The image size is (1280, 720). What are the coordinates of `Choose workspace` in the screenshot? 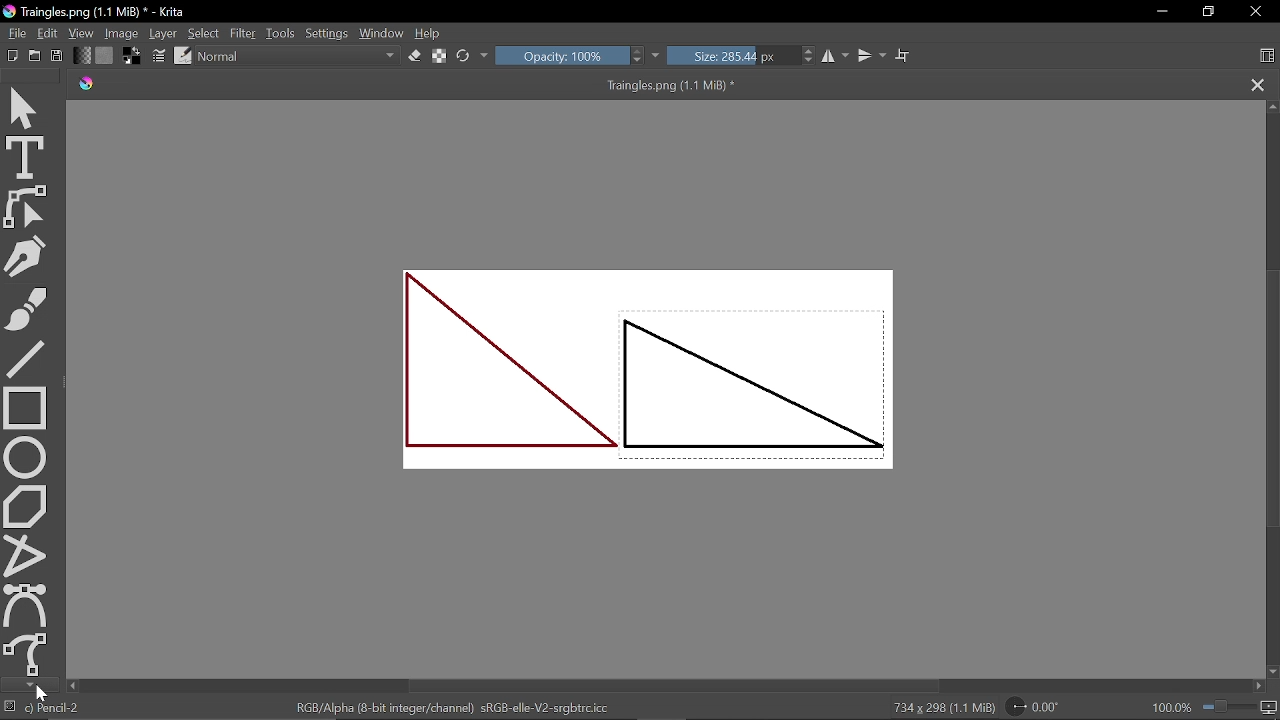 It's located at (1266, 58).